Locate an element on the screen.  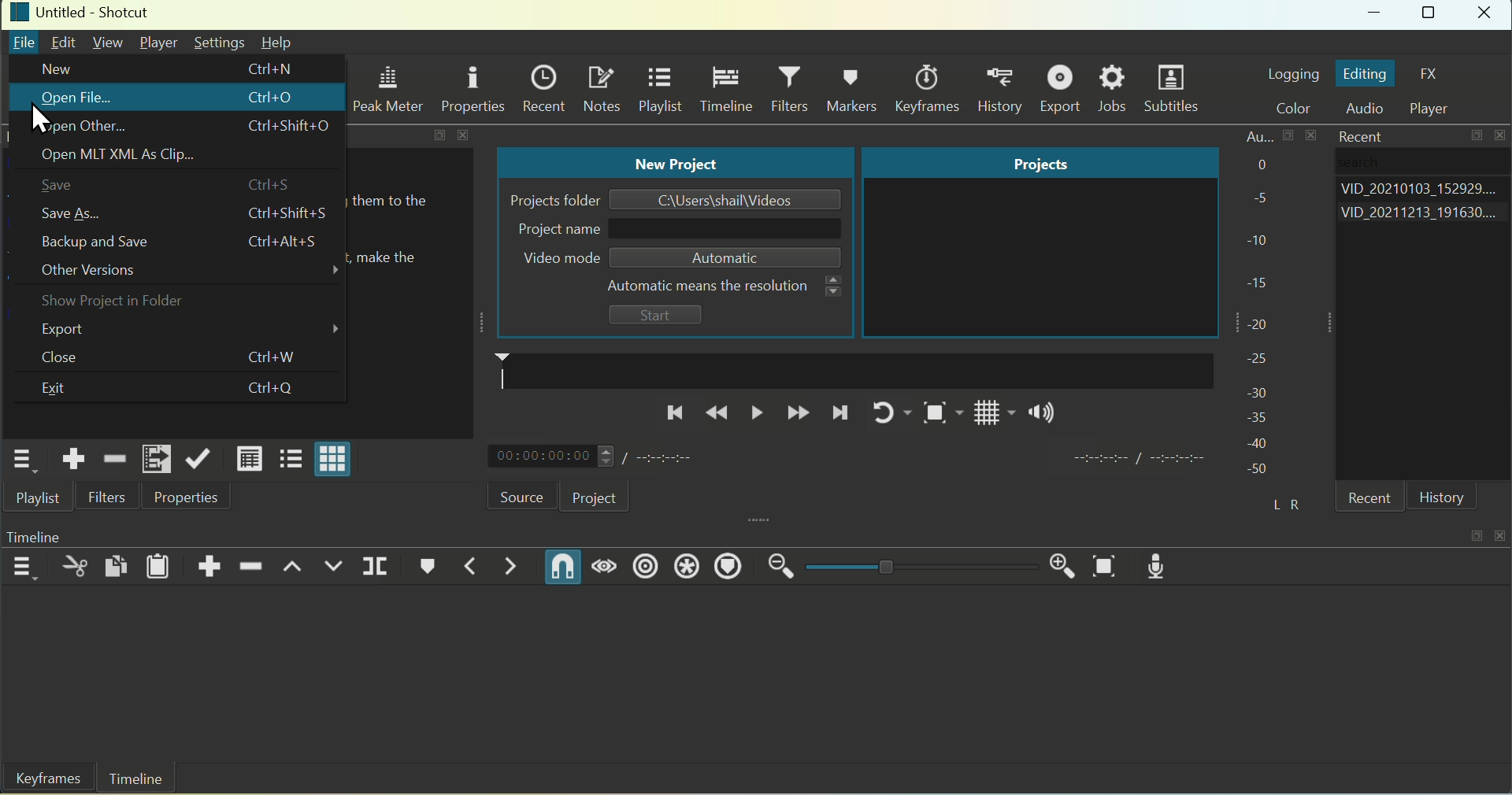
History is located at coordinates (1442, 497).